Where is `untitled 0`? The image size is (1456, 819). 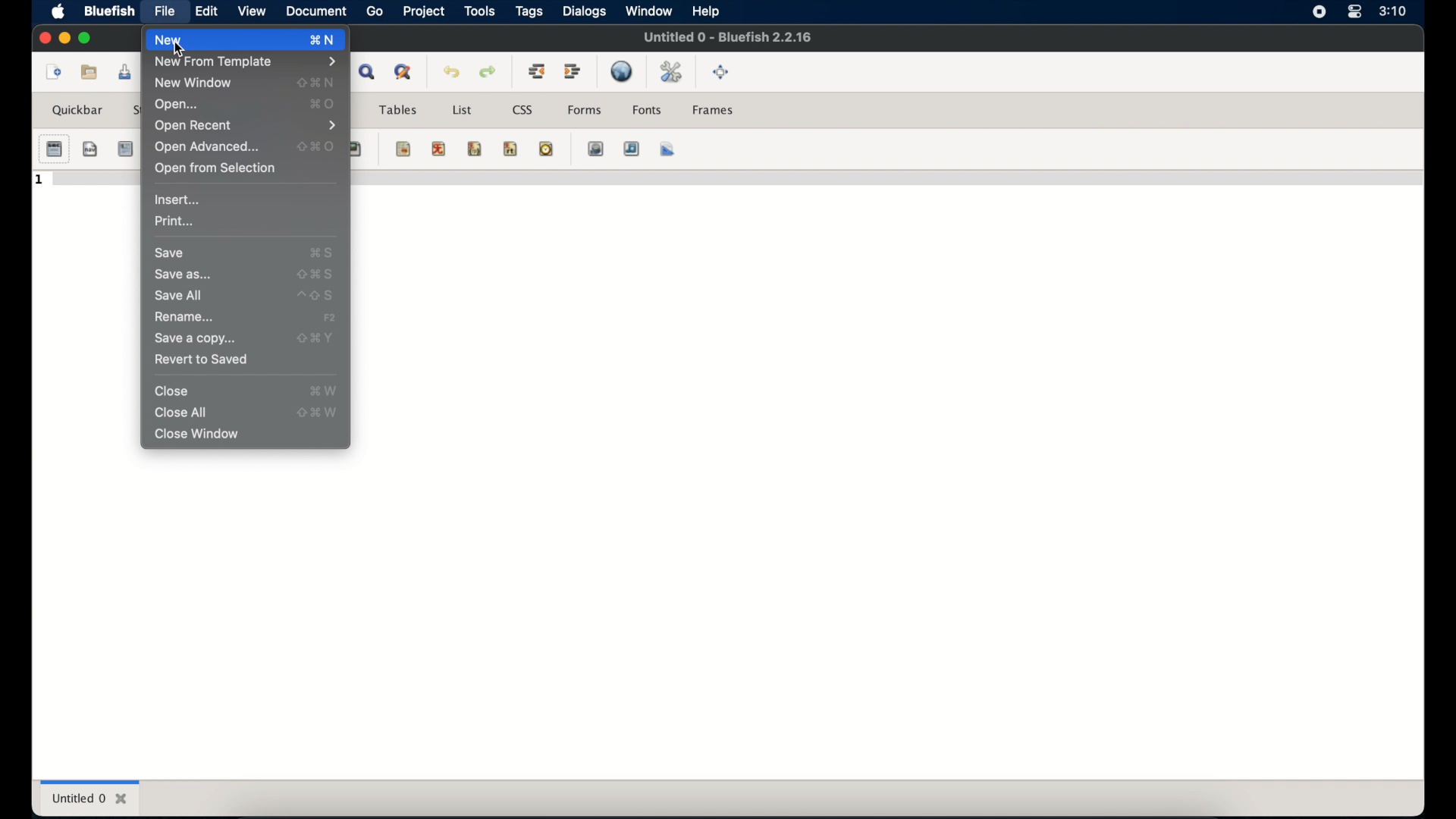
untitled 0 is located at coordinates (90, 798).